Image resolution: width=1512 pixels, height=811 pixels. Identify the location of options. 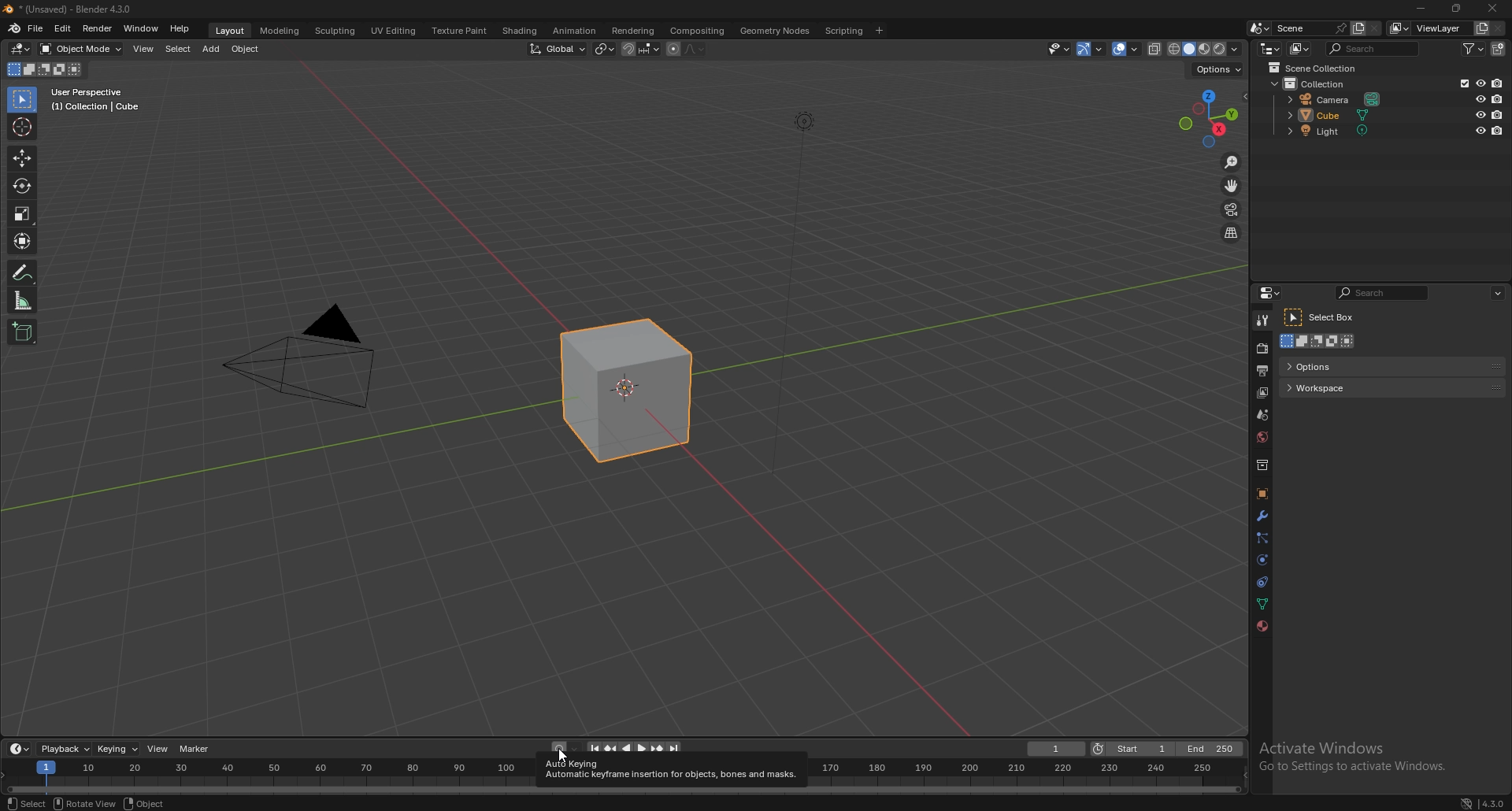
(1392, 366).